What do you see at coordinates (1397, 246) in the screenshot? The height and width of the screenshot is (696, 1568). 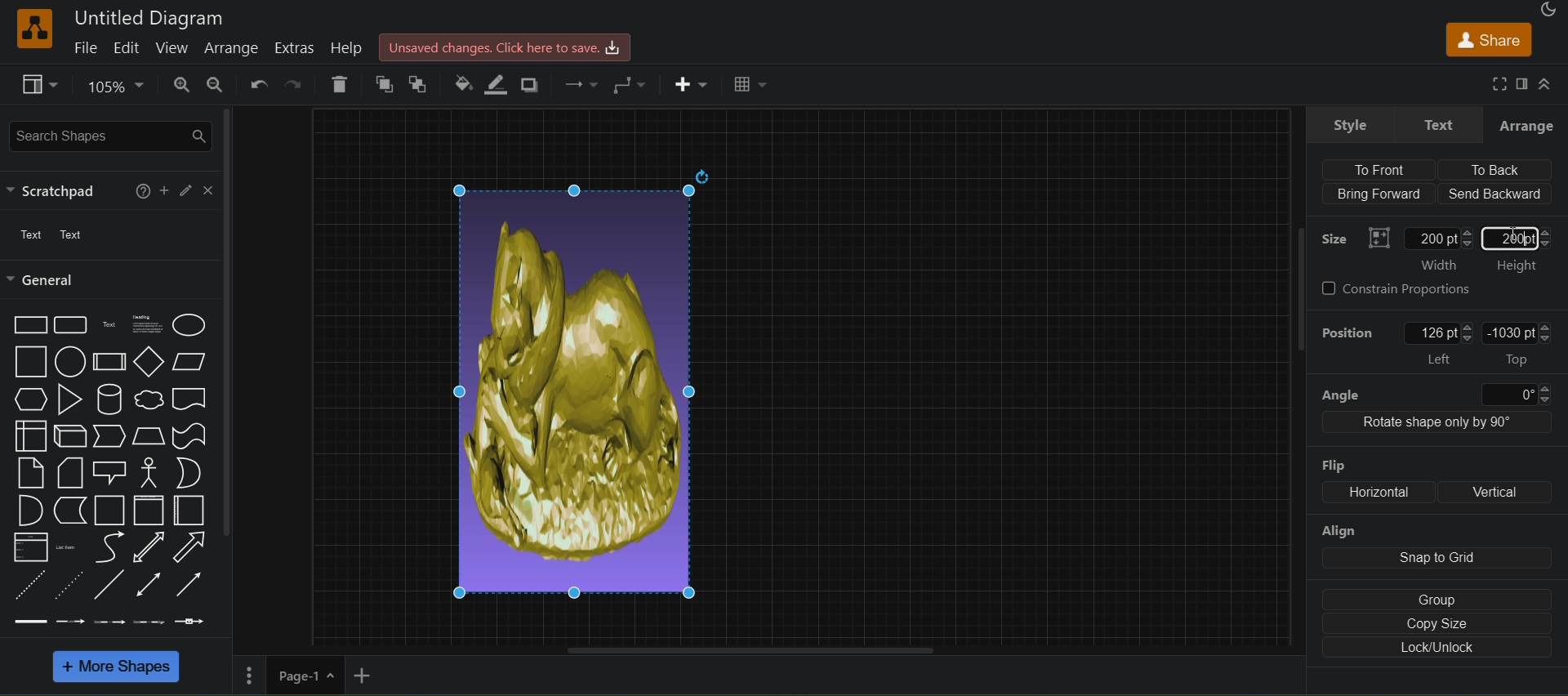 I see `Size: width: 200 pt(entered)` at bounding box center [1397, 246].